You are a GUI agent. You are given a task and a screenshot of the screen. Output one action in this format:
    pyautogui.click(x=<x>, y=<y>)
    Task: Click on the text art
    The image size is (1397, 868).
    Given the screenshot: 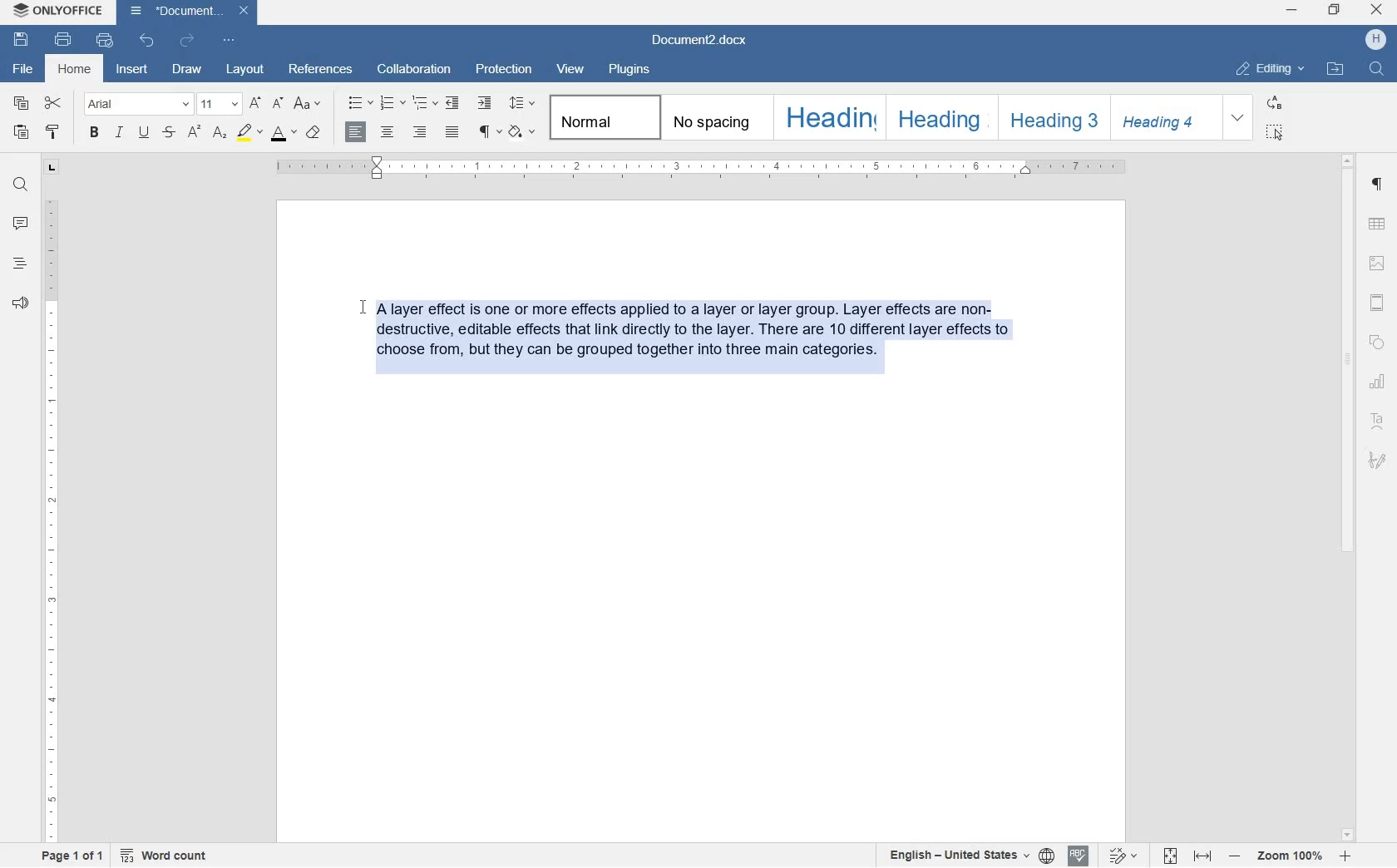 What is the action you would take?
    pyautogui.click(x=1378, y=421)
    